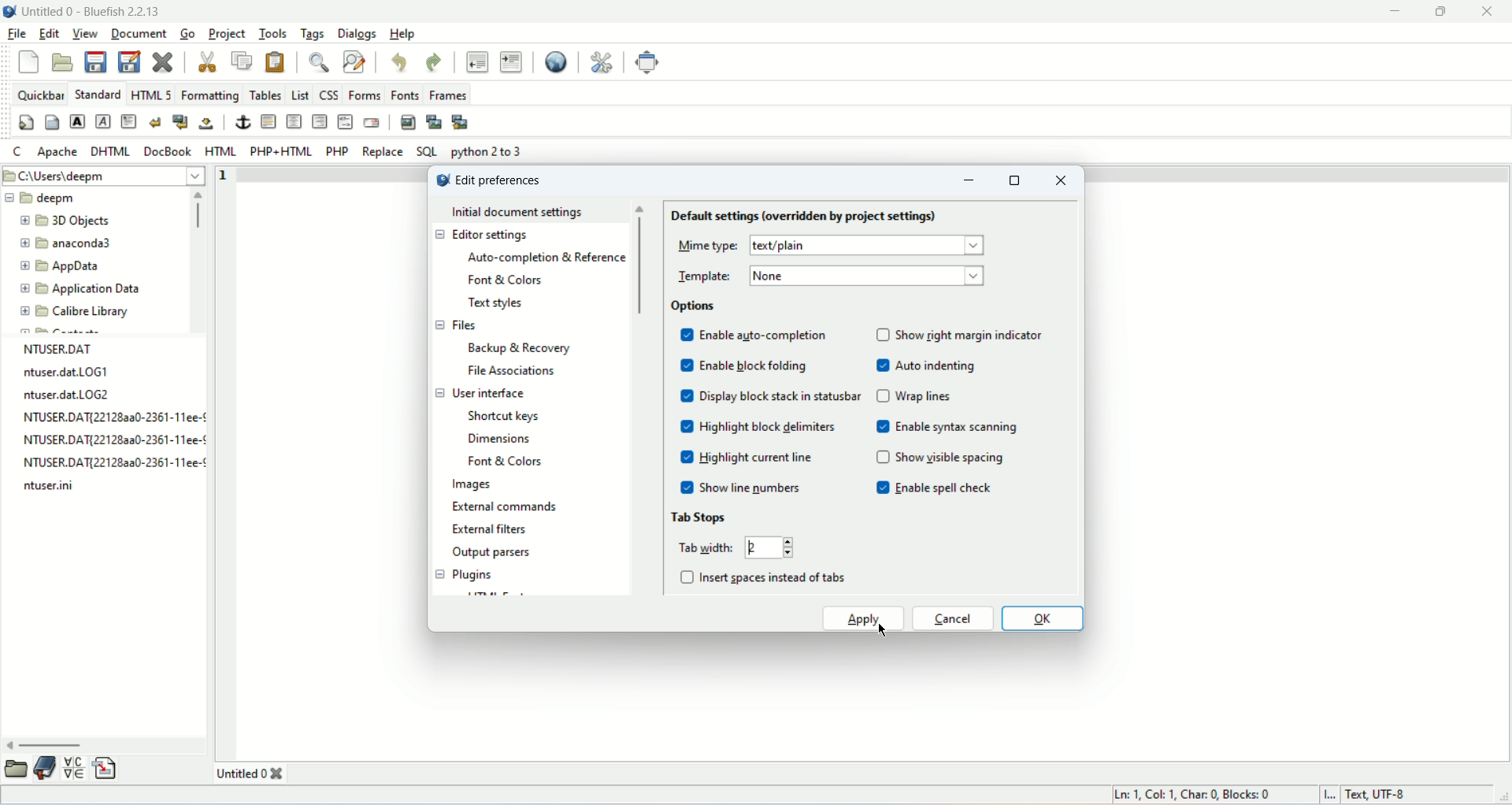 The image size is (1512, 805). What do you see at coordinates (399, 60) in the screenshot?
I see `undo` at bounding box center [399, 60].